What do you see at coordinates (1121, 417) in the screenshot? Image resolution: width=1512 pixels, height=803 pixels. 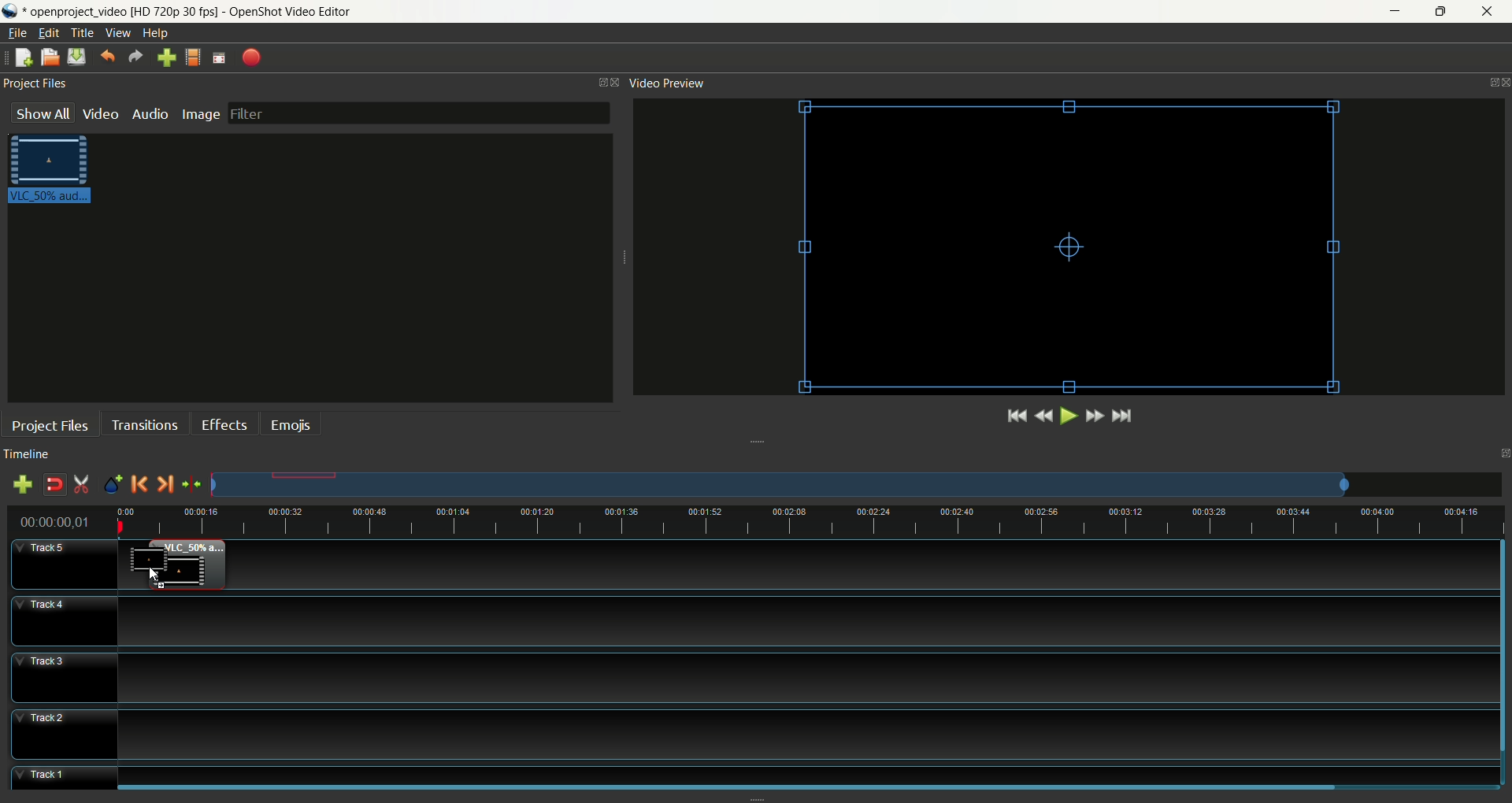 I see `jump to end` at bounding box center [1121, 417].